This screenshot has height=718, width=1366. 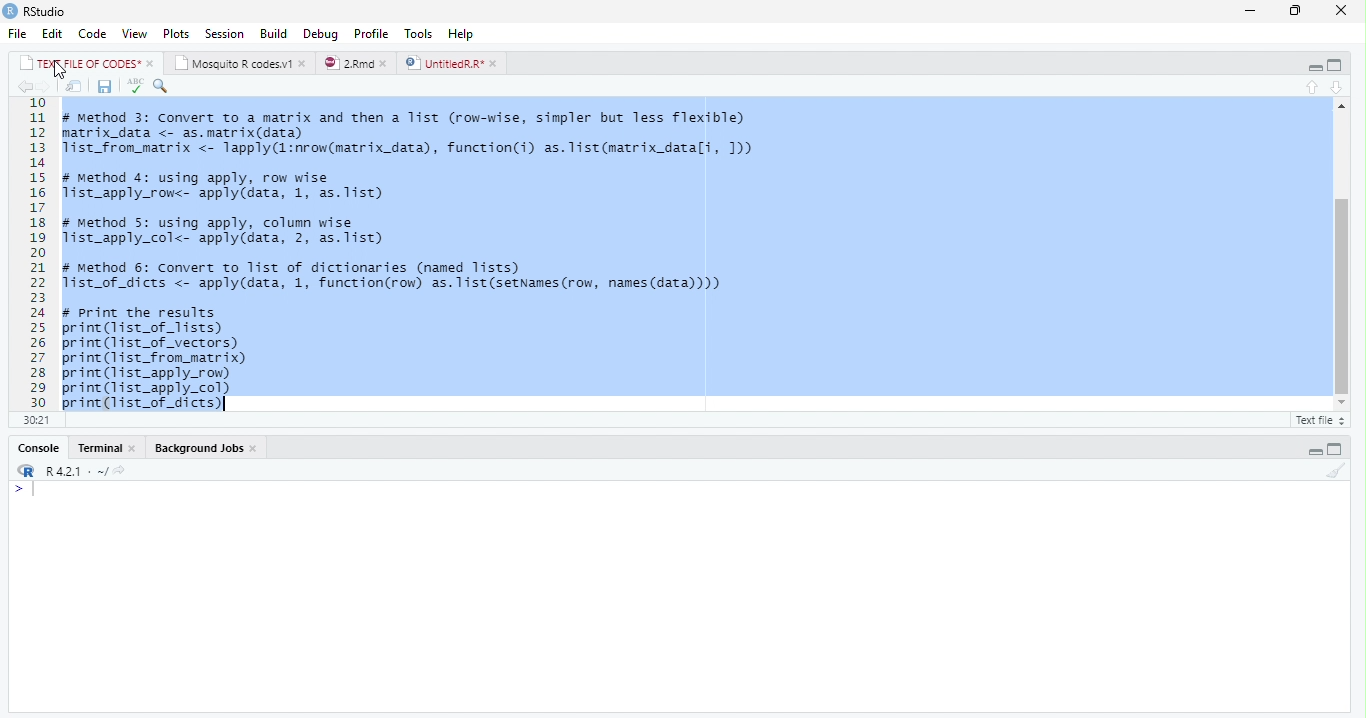 I want to click on Mouse Cursor, so click(x=59, y=72).